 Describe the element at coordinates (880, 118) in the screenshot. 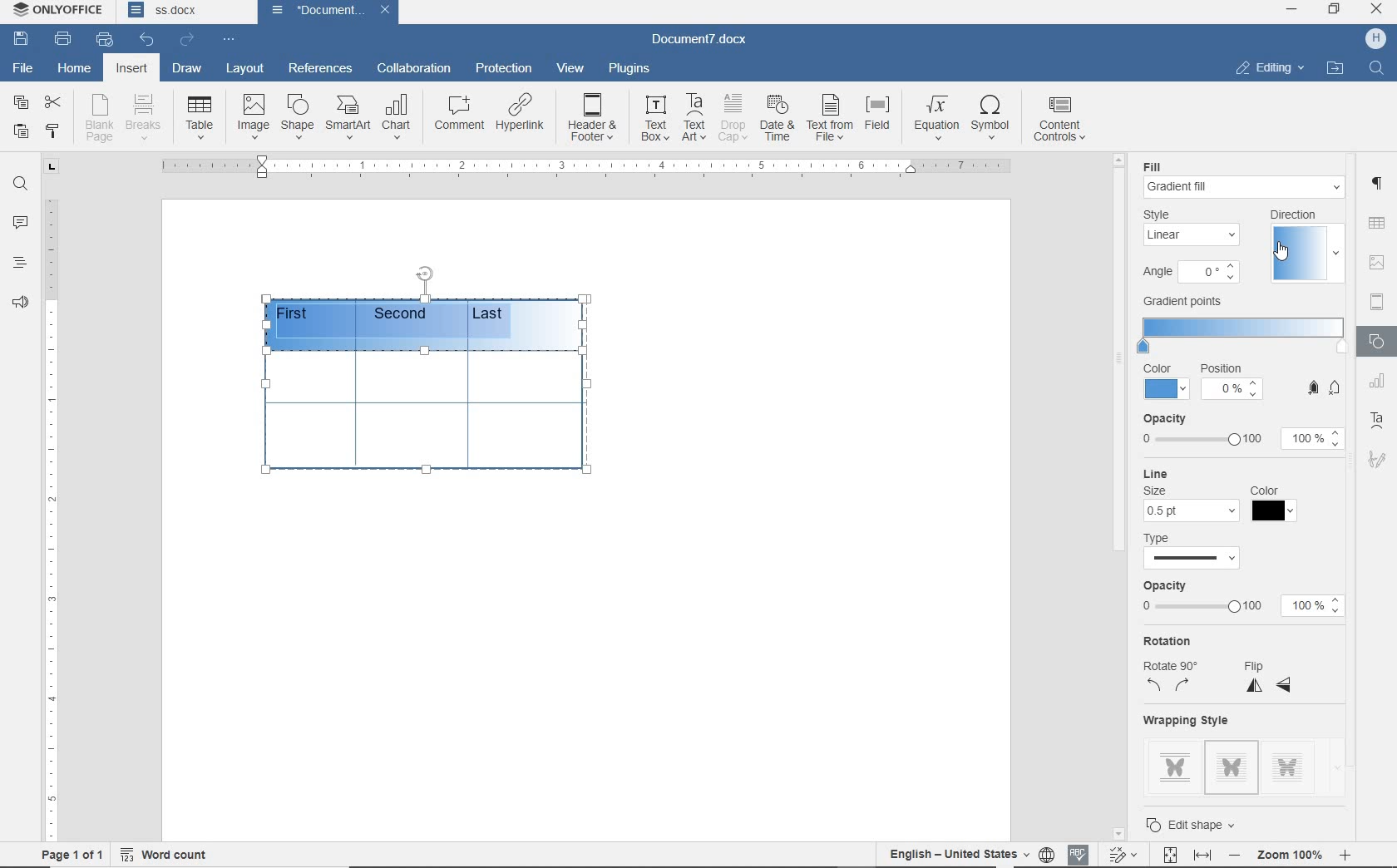

I see `field` at that location.